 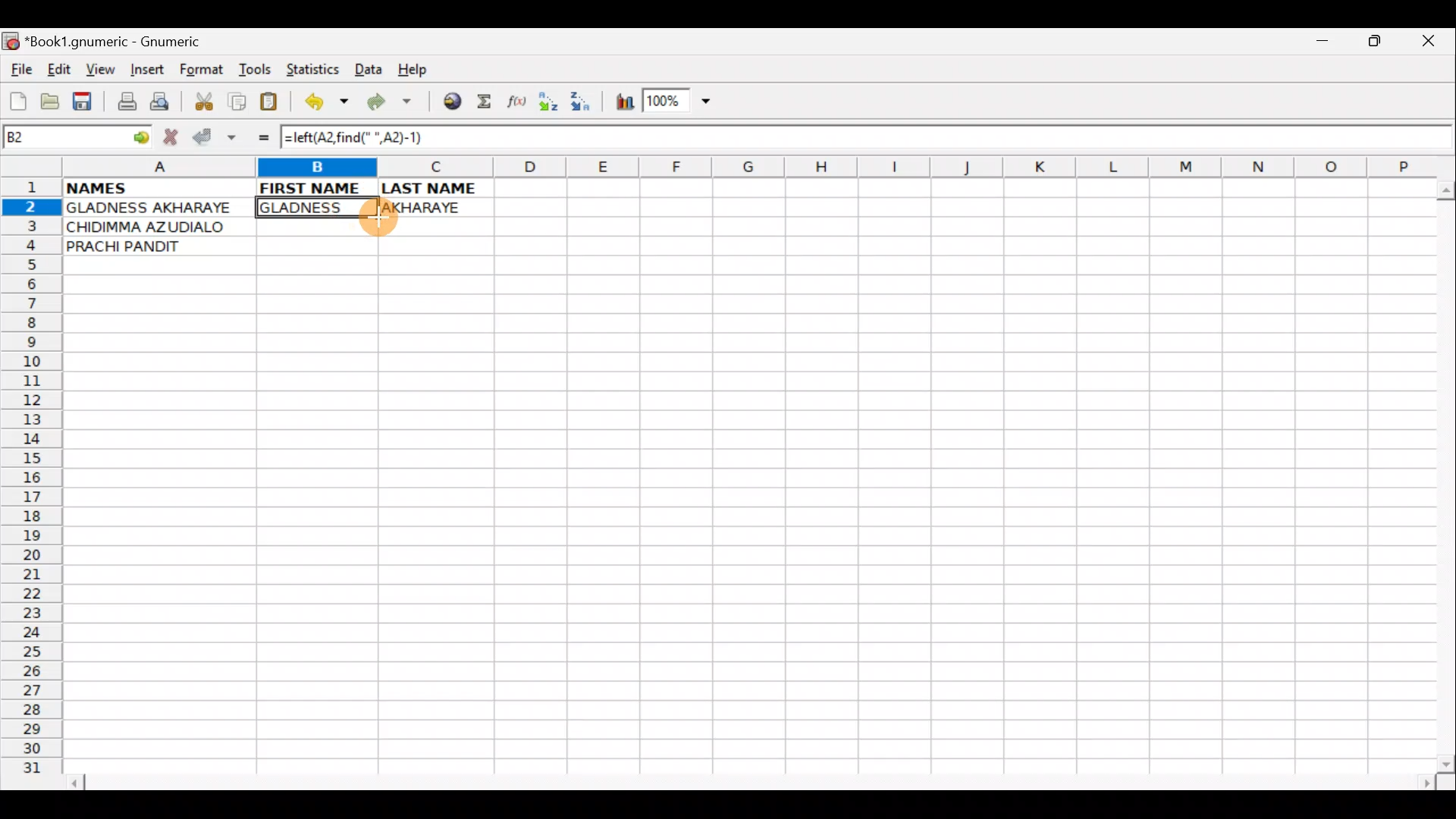 What do you see at coordinates (436, 206) in the screenshot?
I see `AKHARAYE` at bounding box center [436, 206].